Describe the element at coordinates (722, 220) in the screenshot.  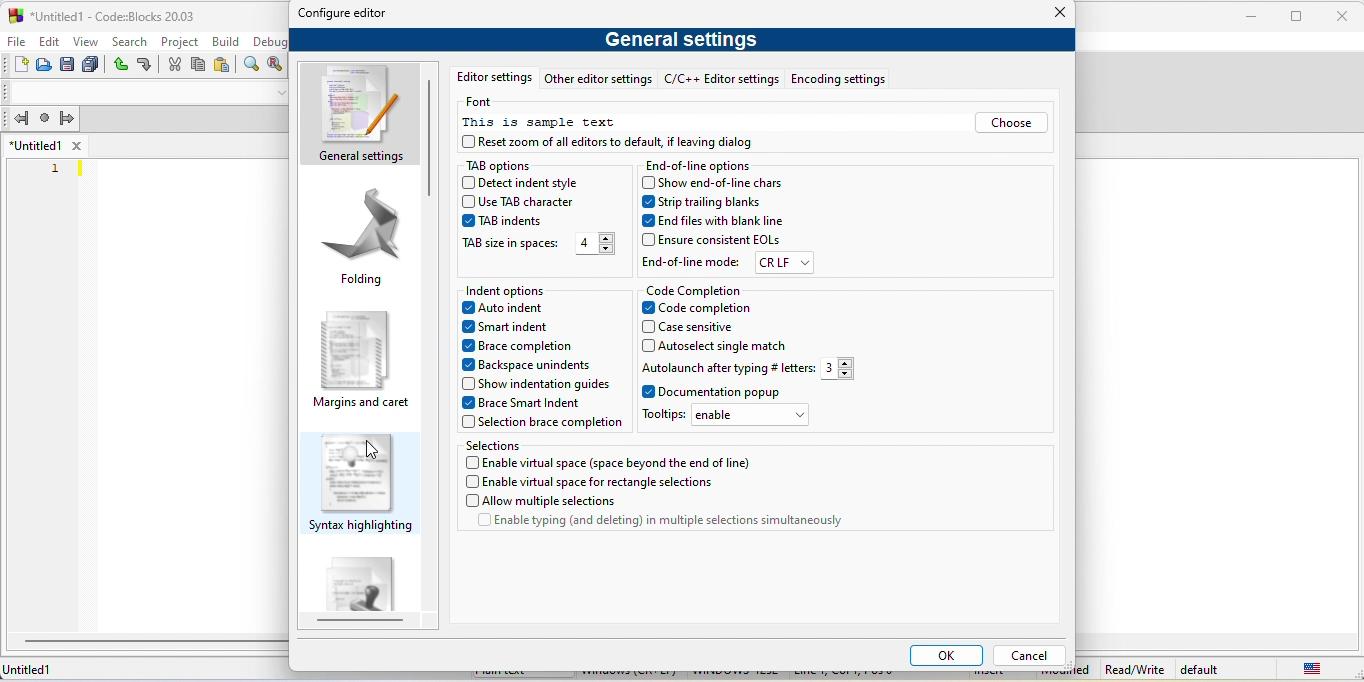
I see `end files with blank line` at that location.